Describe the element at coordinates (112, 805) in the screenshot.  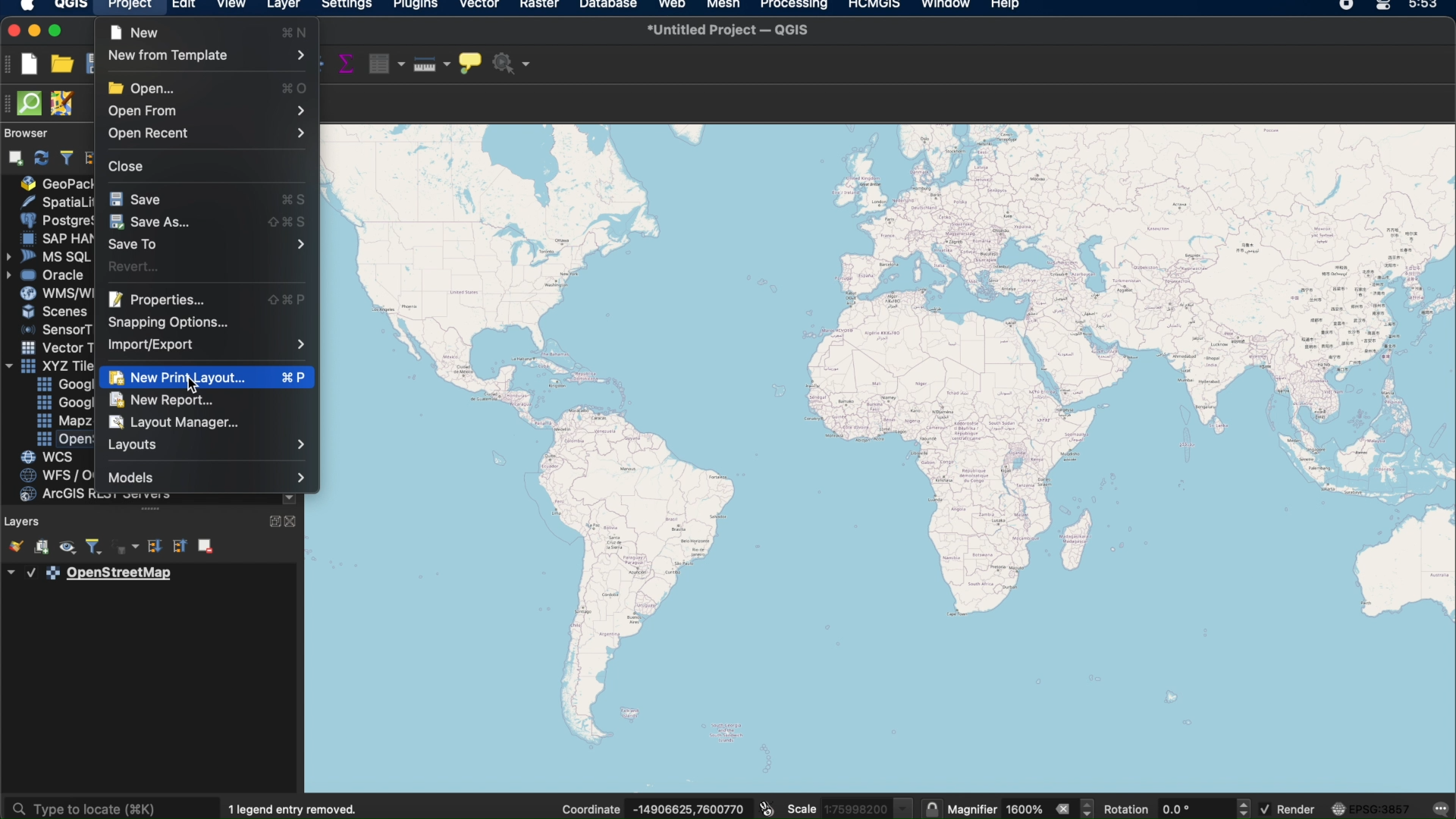
I see `type to locate` at that location.